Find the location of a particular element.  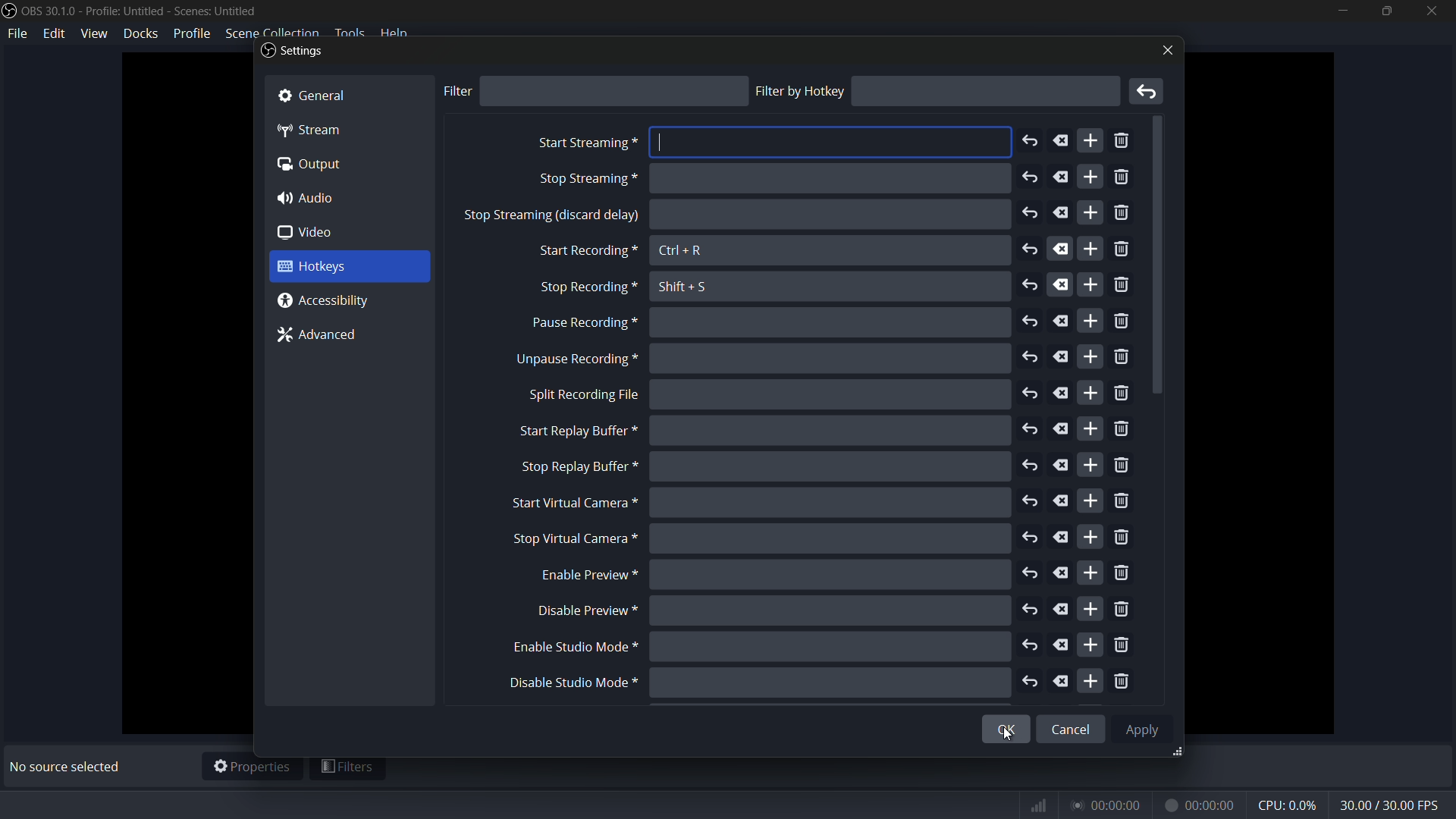

Cancel is located at coordinates (1072, 724).